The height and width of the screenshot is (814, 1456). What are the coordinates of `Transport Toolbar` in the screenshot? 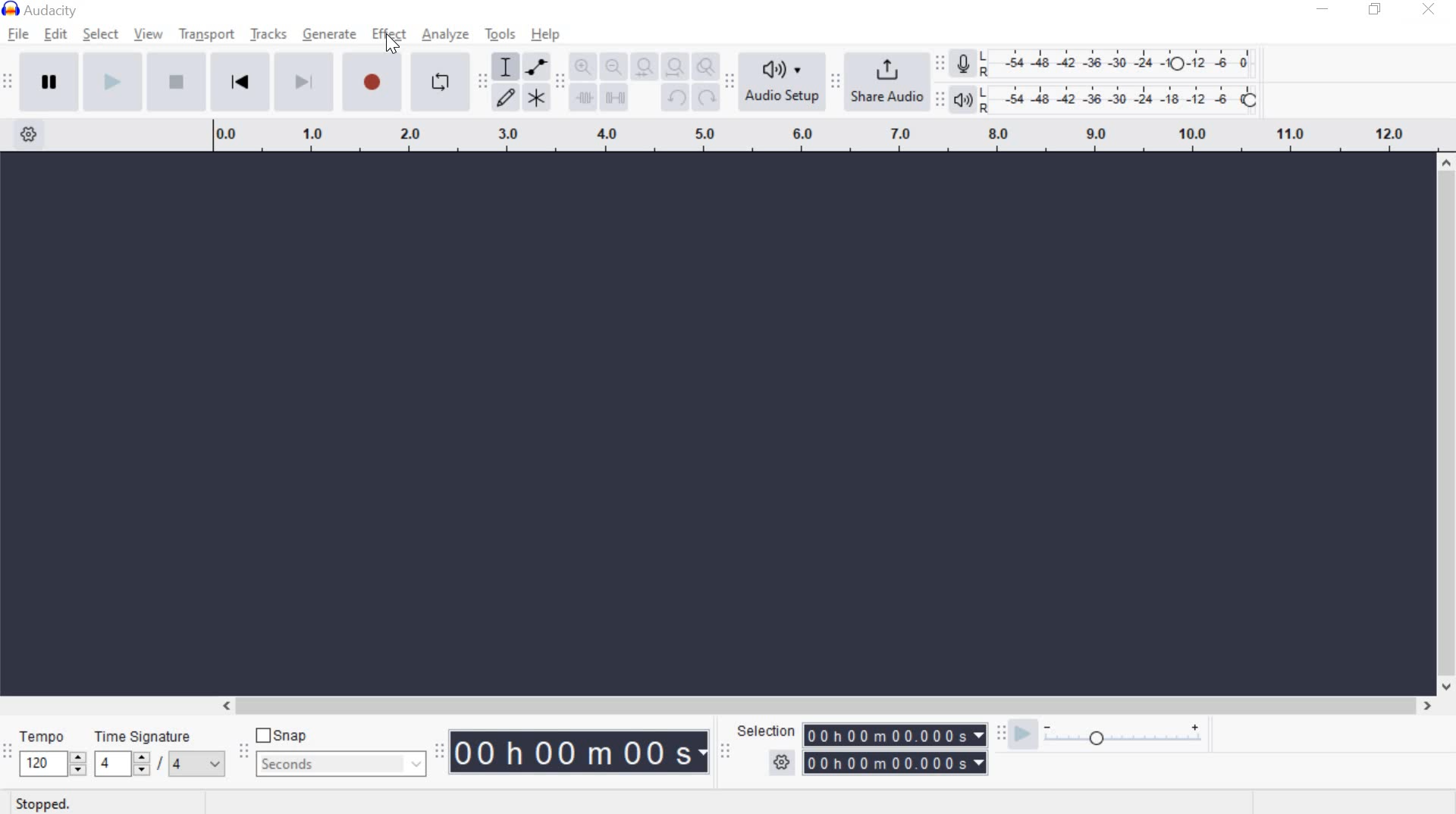 It's located at (9, 83).